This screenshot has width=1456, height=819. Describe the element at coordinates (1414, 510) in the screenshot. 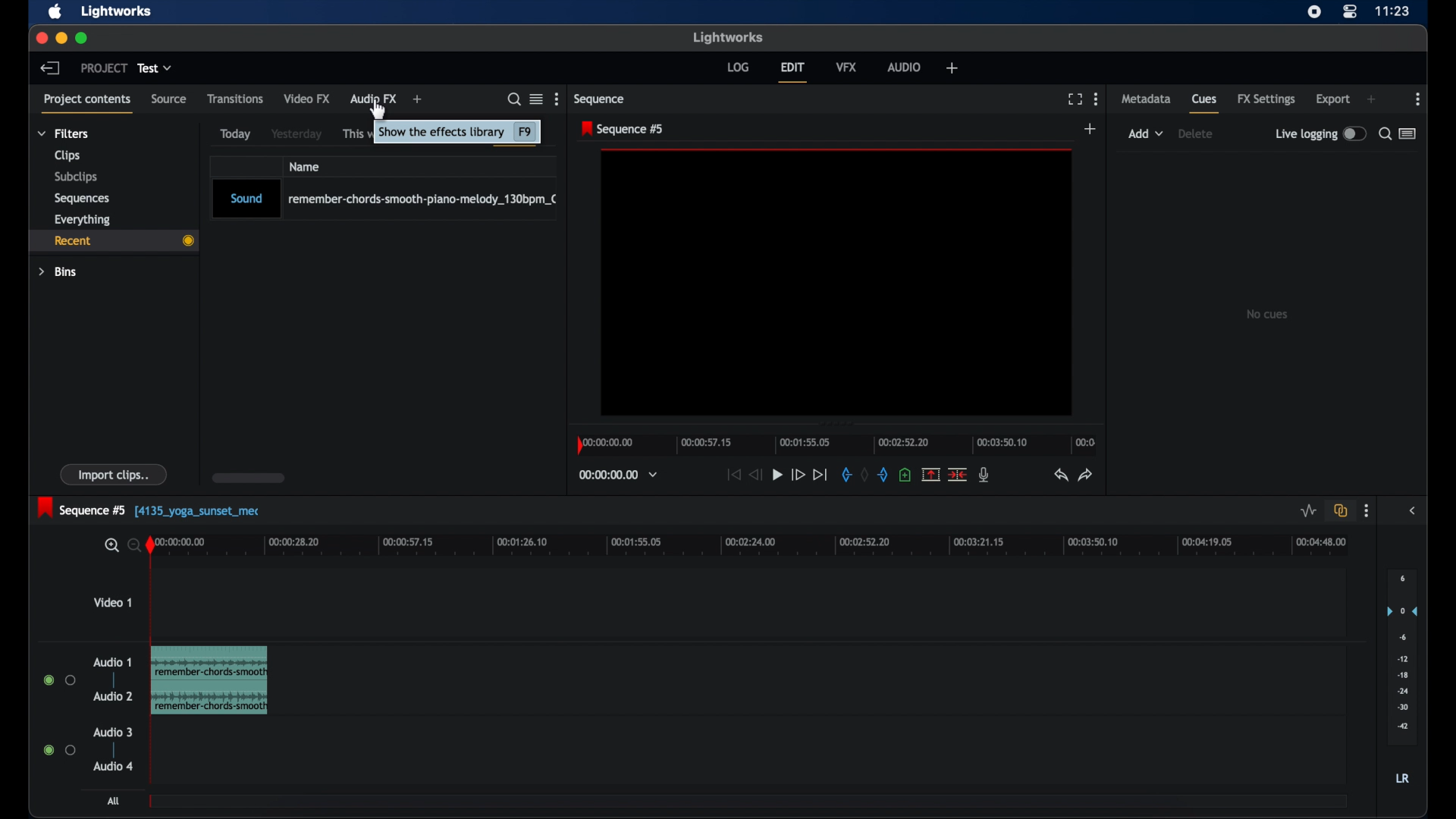

I see `sidebar` at that location.